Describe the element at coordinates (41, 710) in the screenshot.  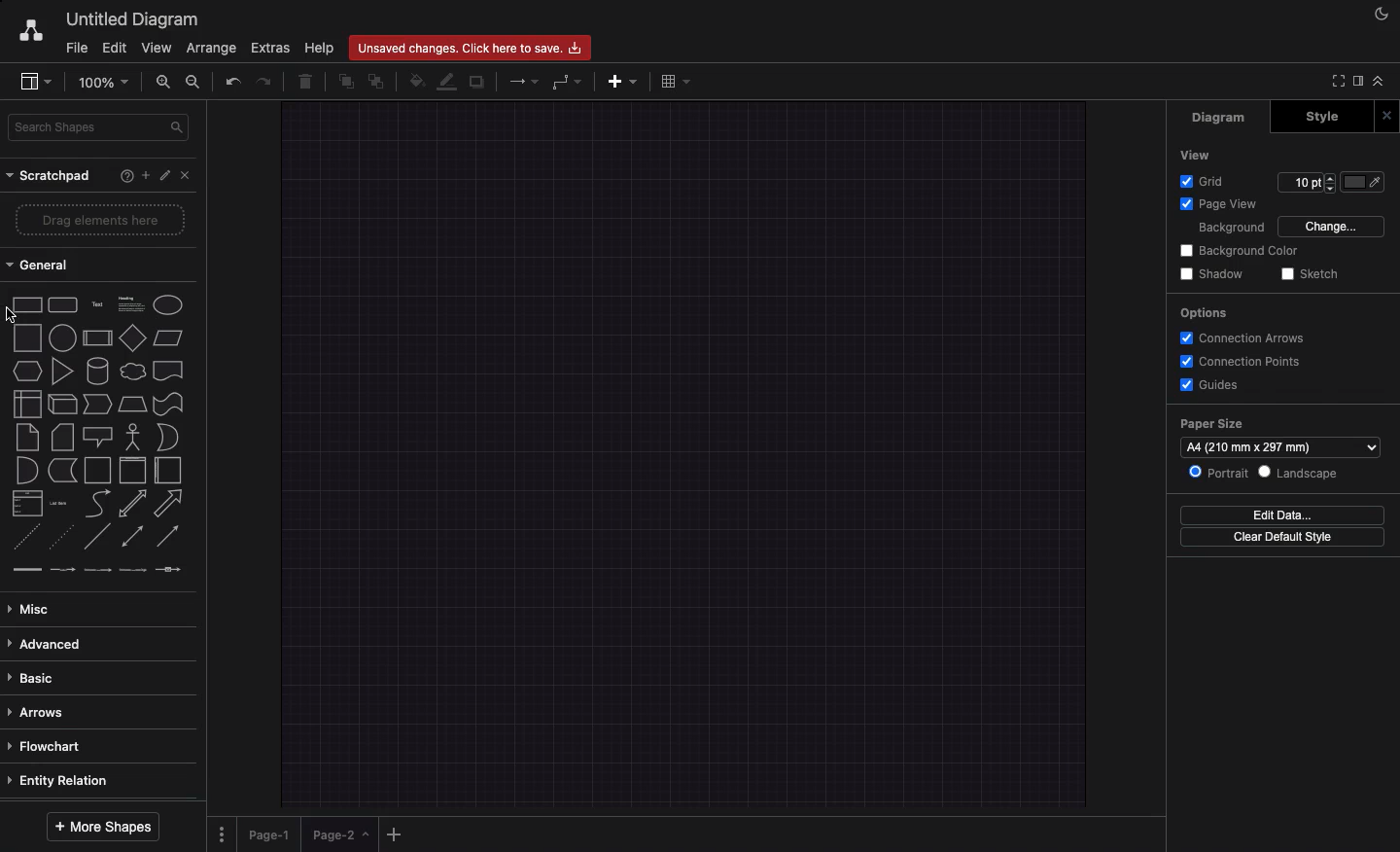
I see `Arrows` at that location.